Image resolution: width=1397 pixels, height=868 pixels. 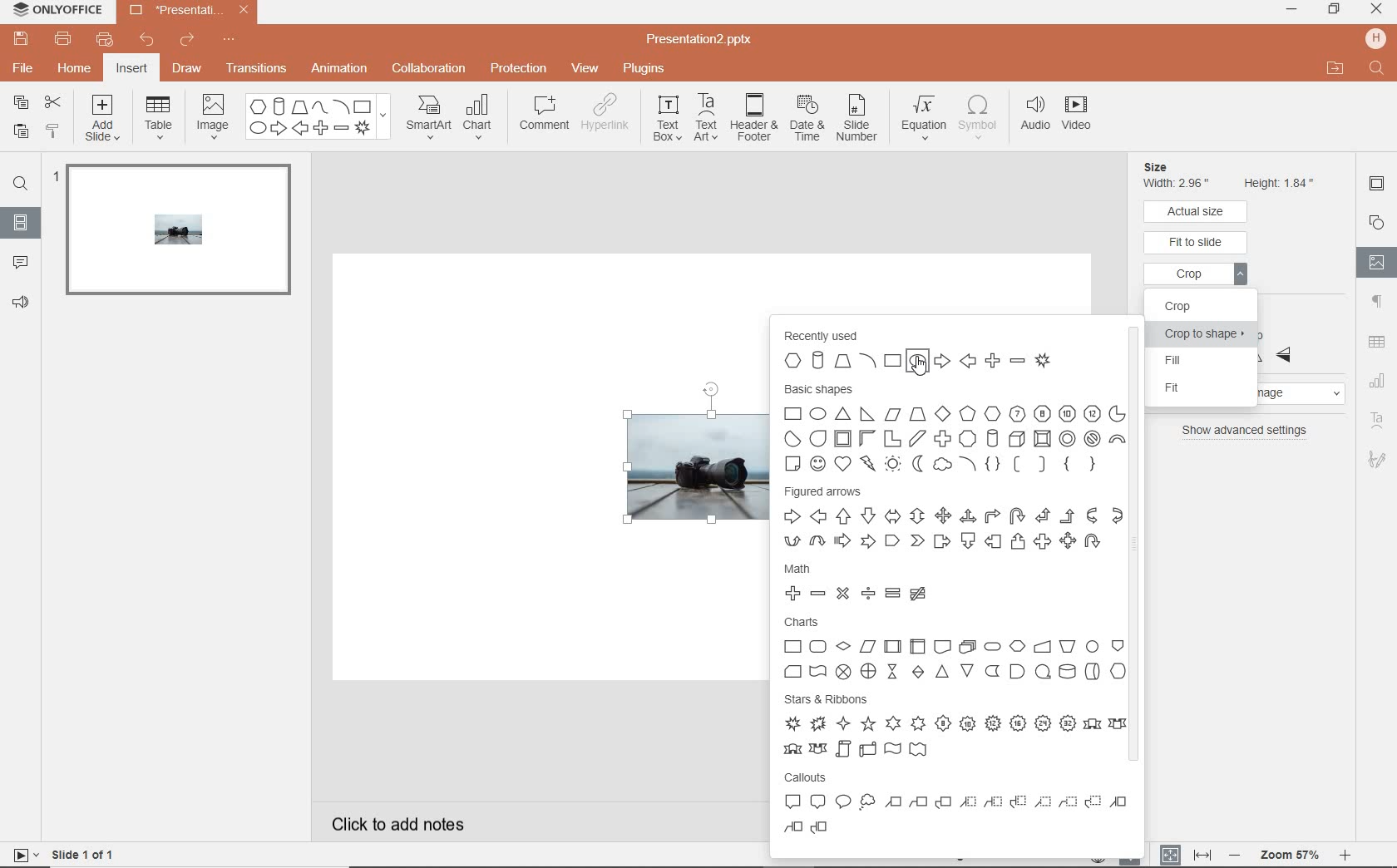 I want to click on ONLYOFFICE, so click(x=57, y=12).